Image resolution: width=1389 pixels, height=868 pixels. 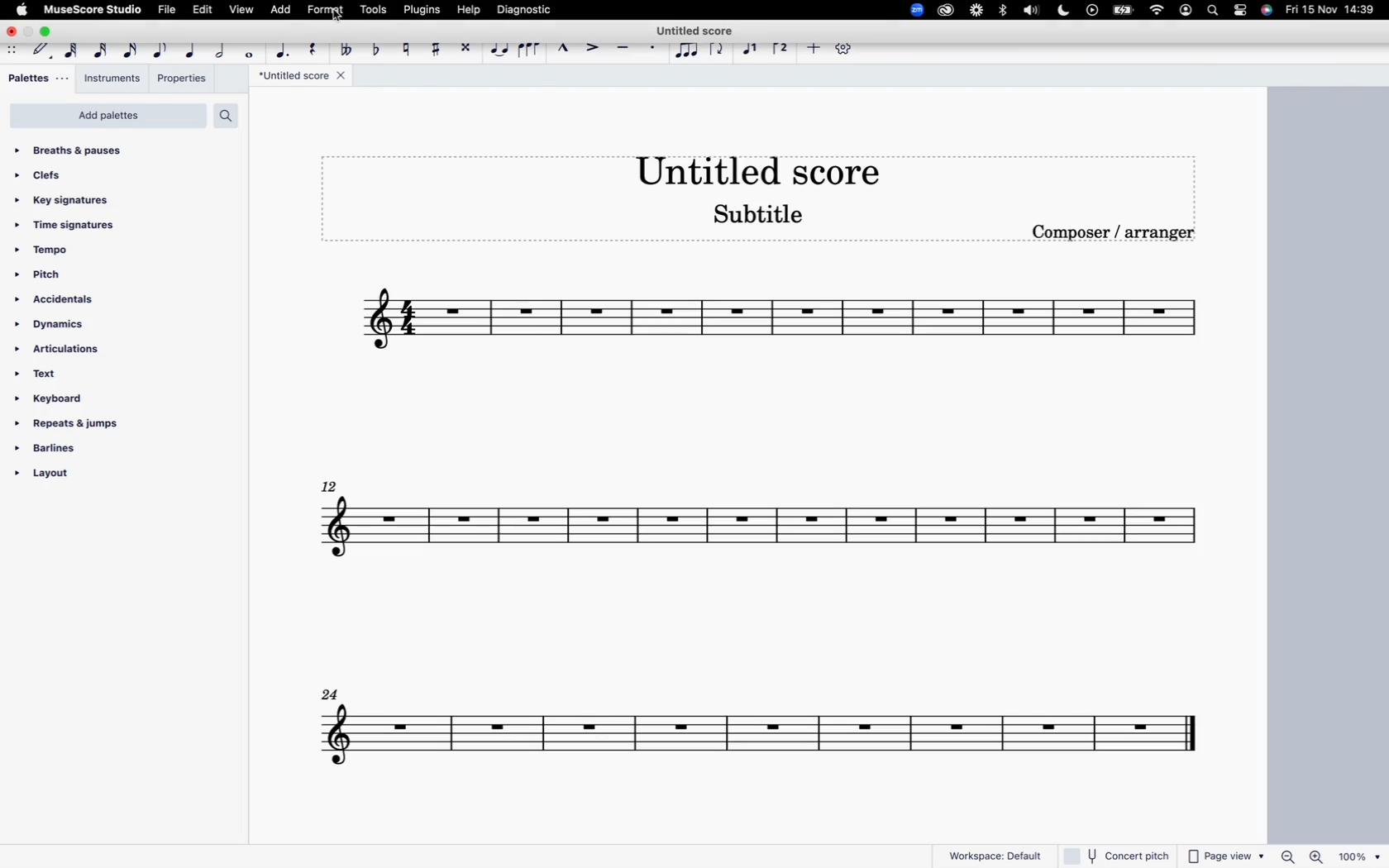 I want to click on musescore studio, so click(x=93, y=12).